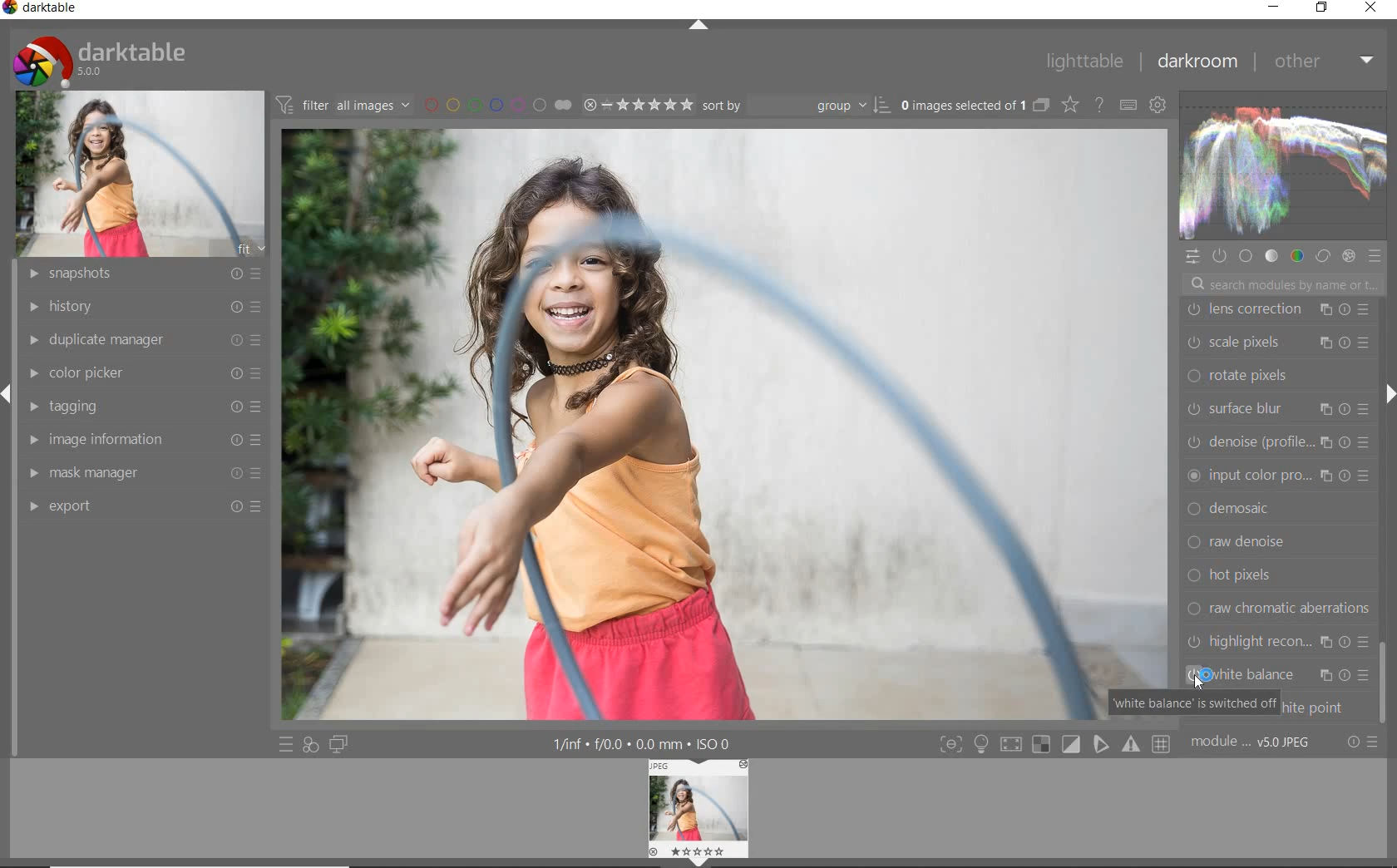 This screenshot has width=1397, height=868. Describe the element at coordinates (139, 305) in the screenshot. I see `history` at that location.